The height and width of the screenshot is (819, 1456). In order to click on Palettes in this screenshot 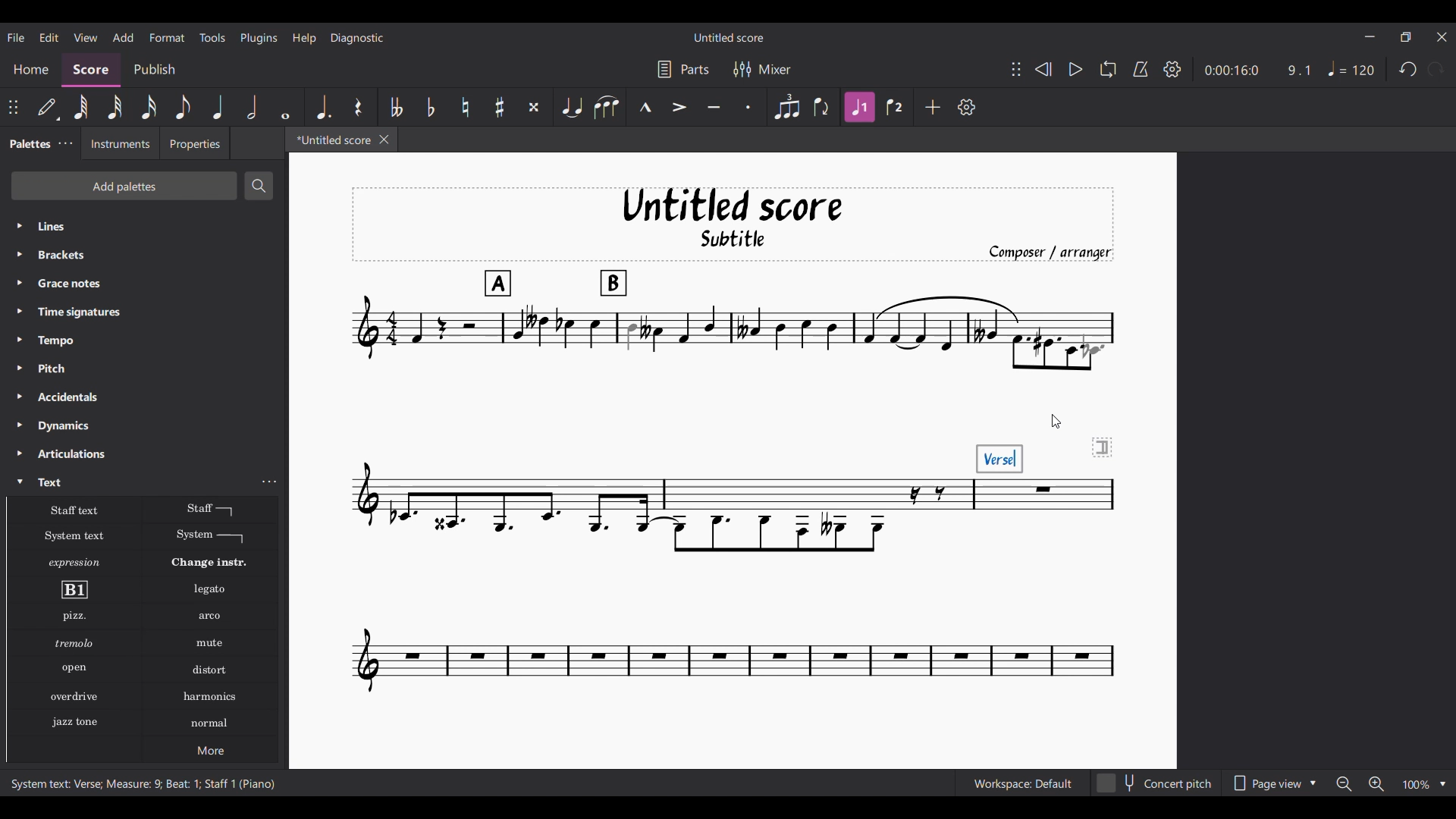, I will do `click(27, 145)`.